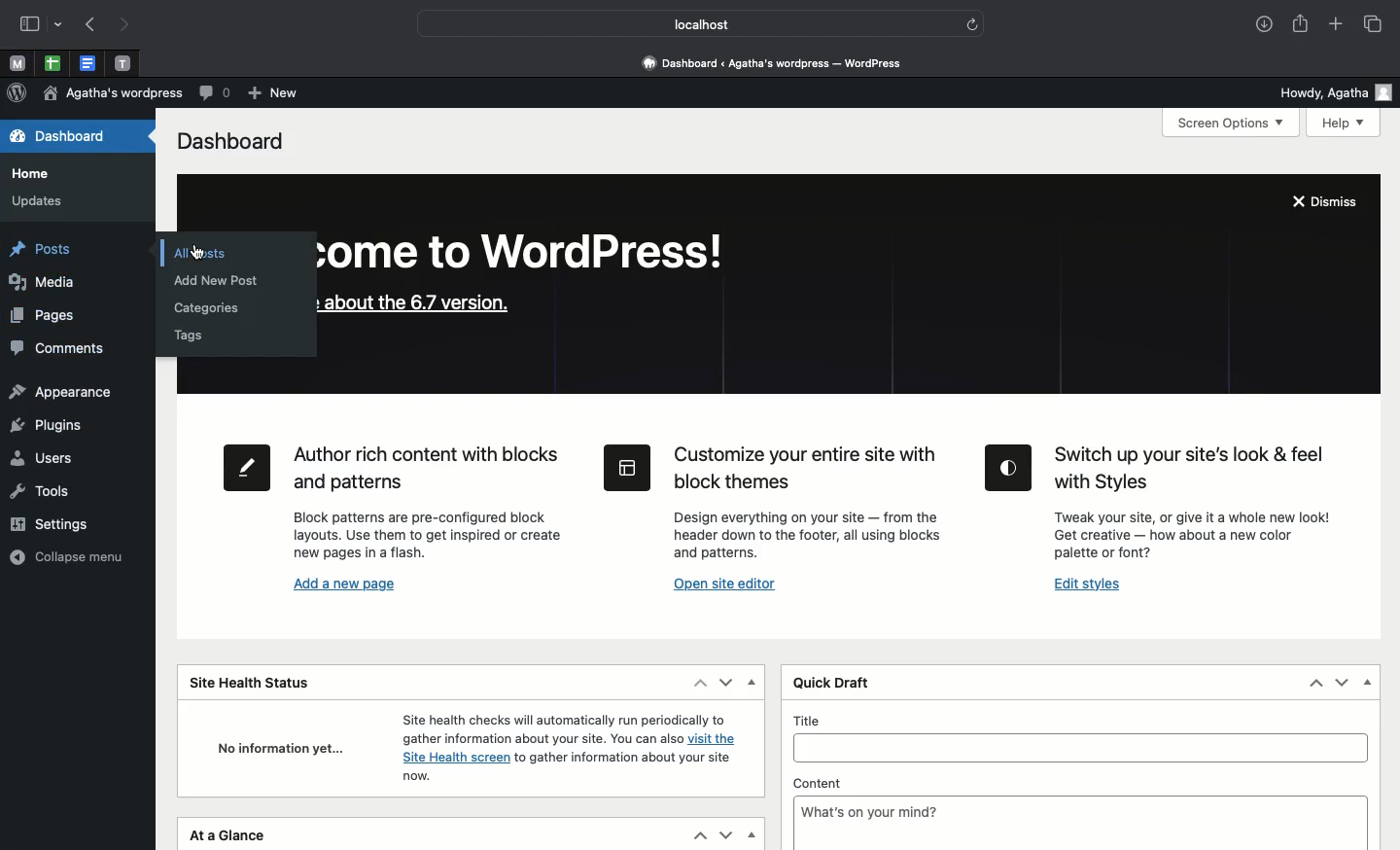 The image size is (1400, 850). What do you see at coordinates (697, 683) in the screenshot?
I see `Up` at bounding box center [697, 683].